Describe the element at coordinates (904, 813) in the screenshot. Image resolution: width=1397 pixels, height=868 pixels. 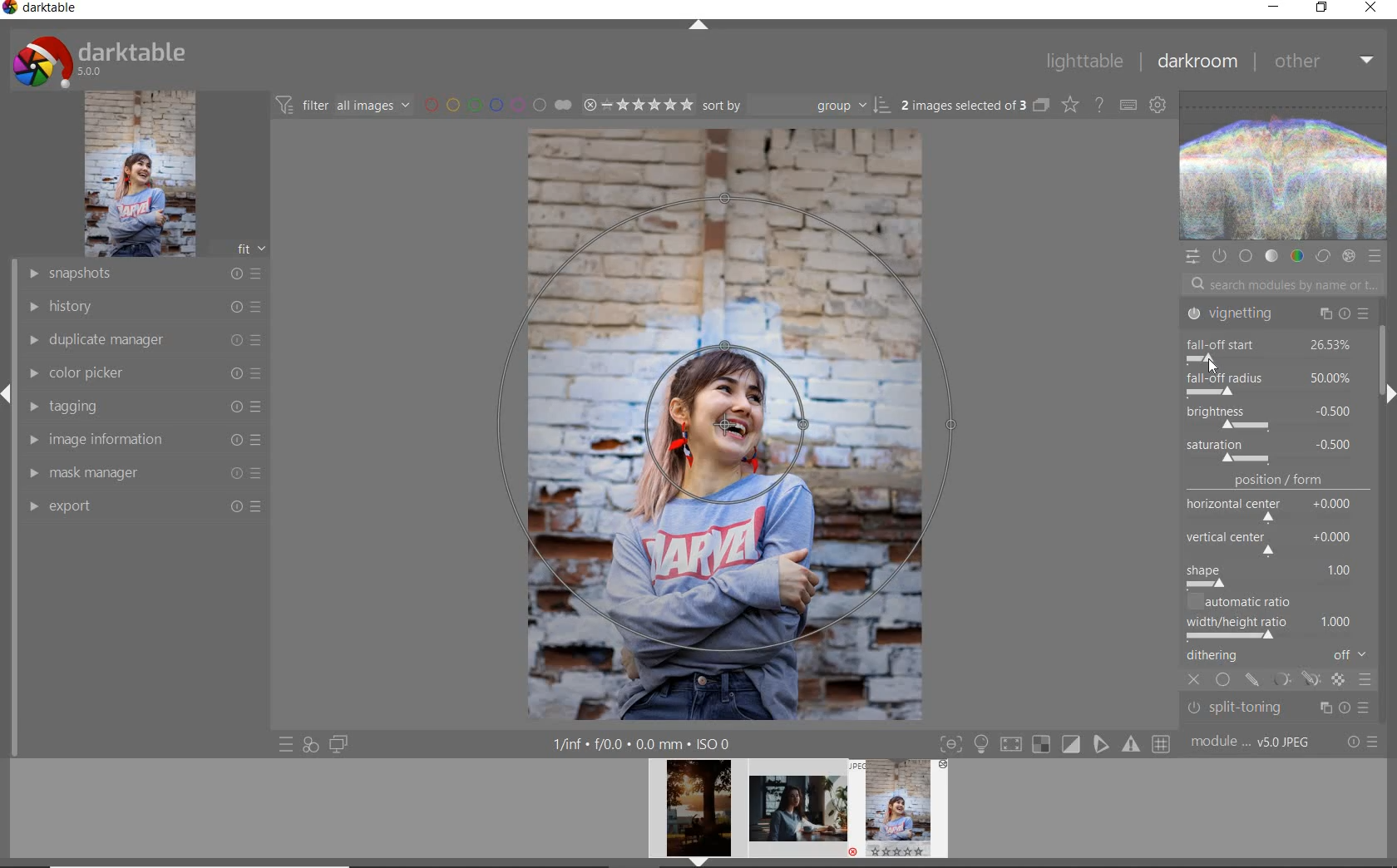
I see `image preview` at that location.